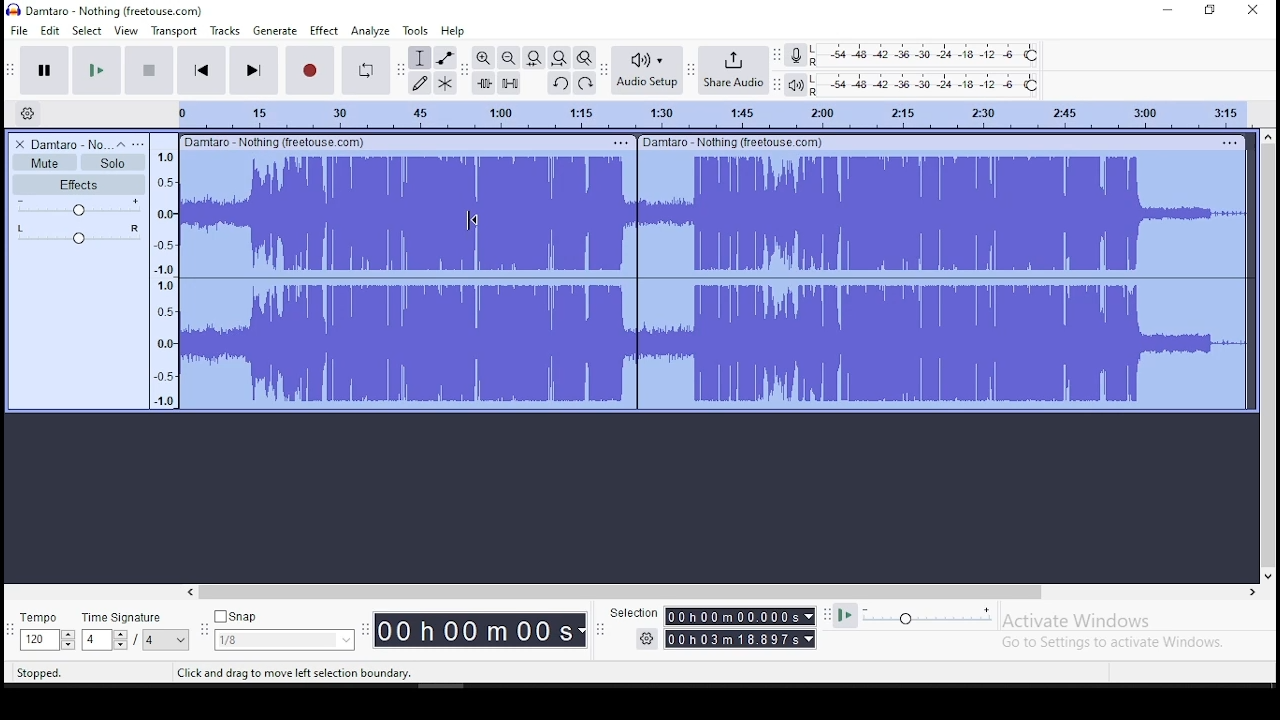 This screenshot has width=1280, height=720. What do you see at coordinates (645, 639) in the screenshot?
I see `settings` at bounding box center [645, 639].